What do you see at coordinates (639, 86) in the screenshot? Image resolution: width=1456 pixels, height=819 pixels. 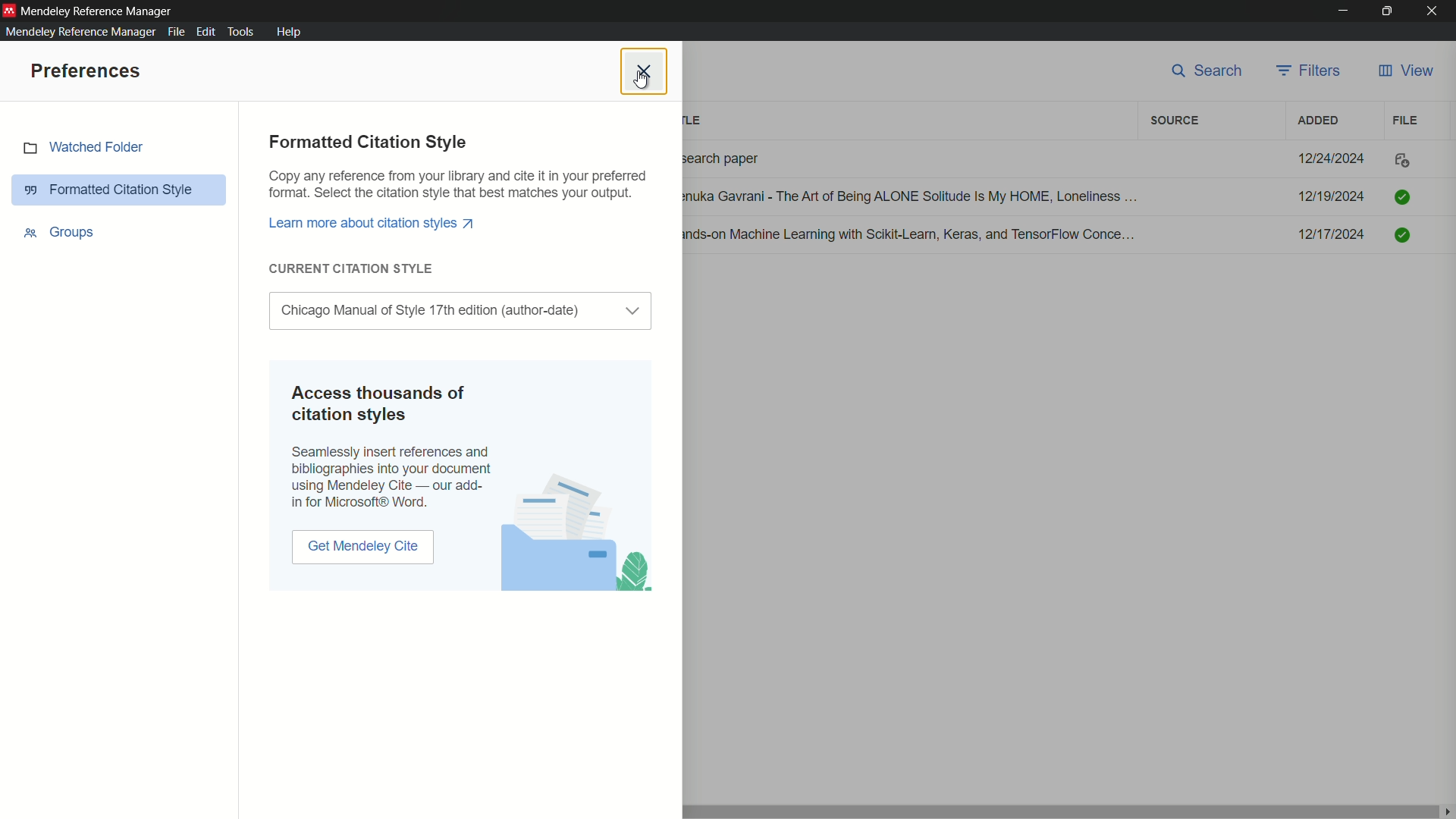 I see `cursor` at bounding box center [639, 86].